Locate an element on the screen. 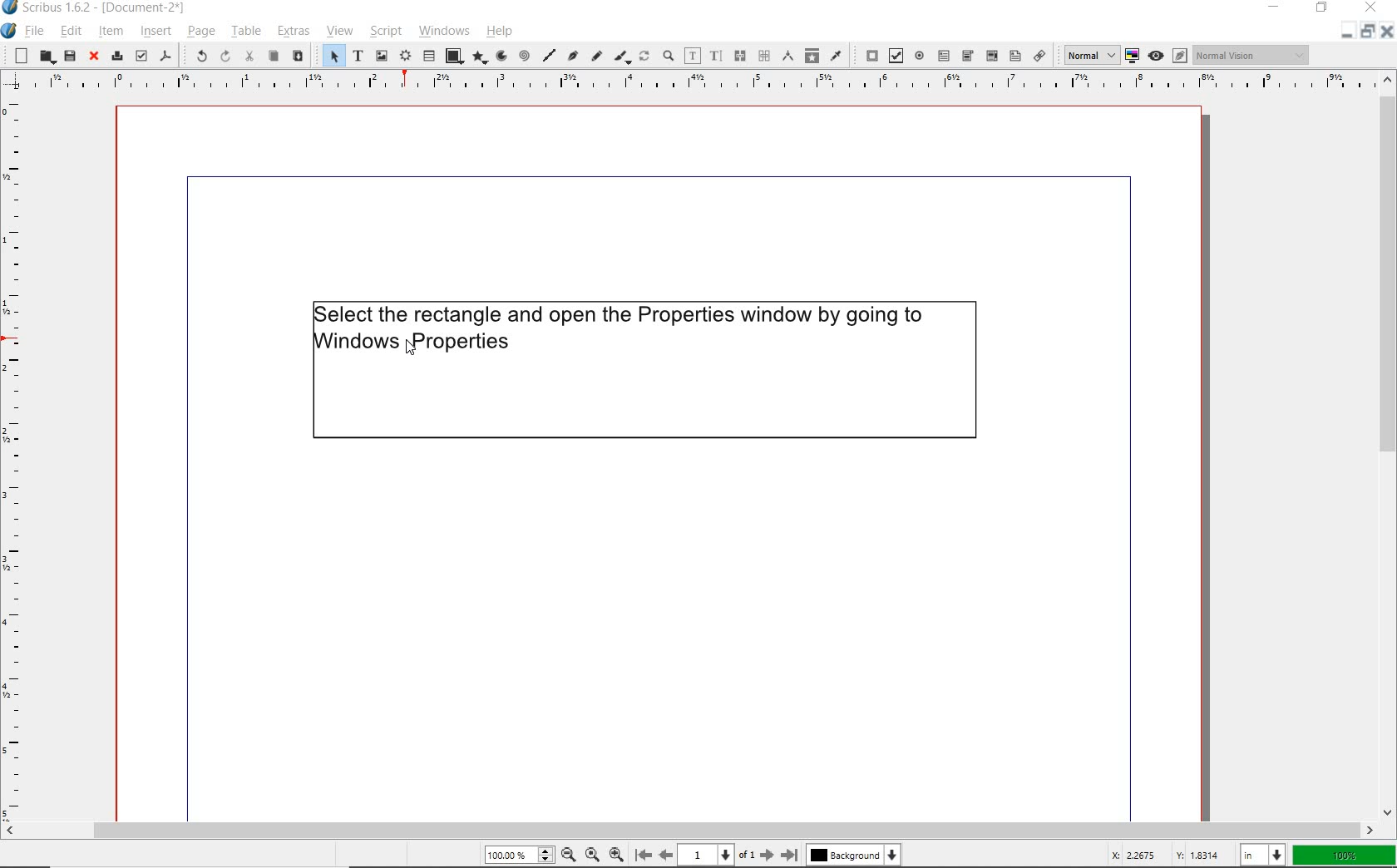 This screenshot has height=868, width=1397. render frame is located at coordinates (404, 57).